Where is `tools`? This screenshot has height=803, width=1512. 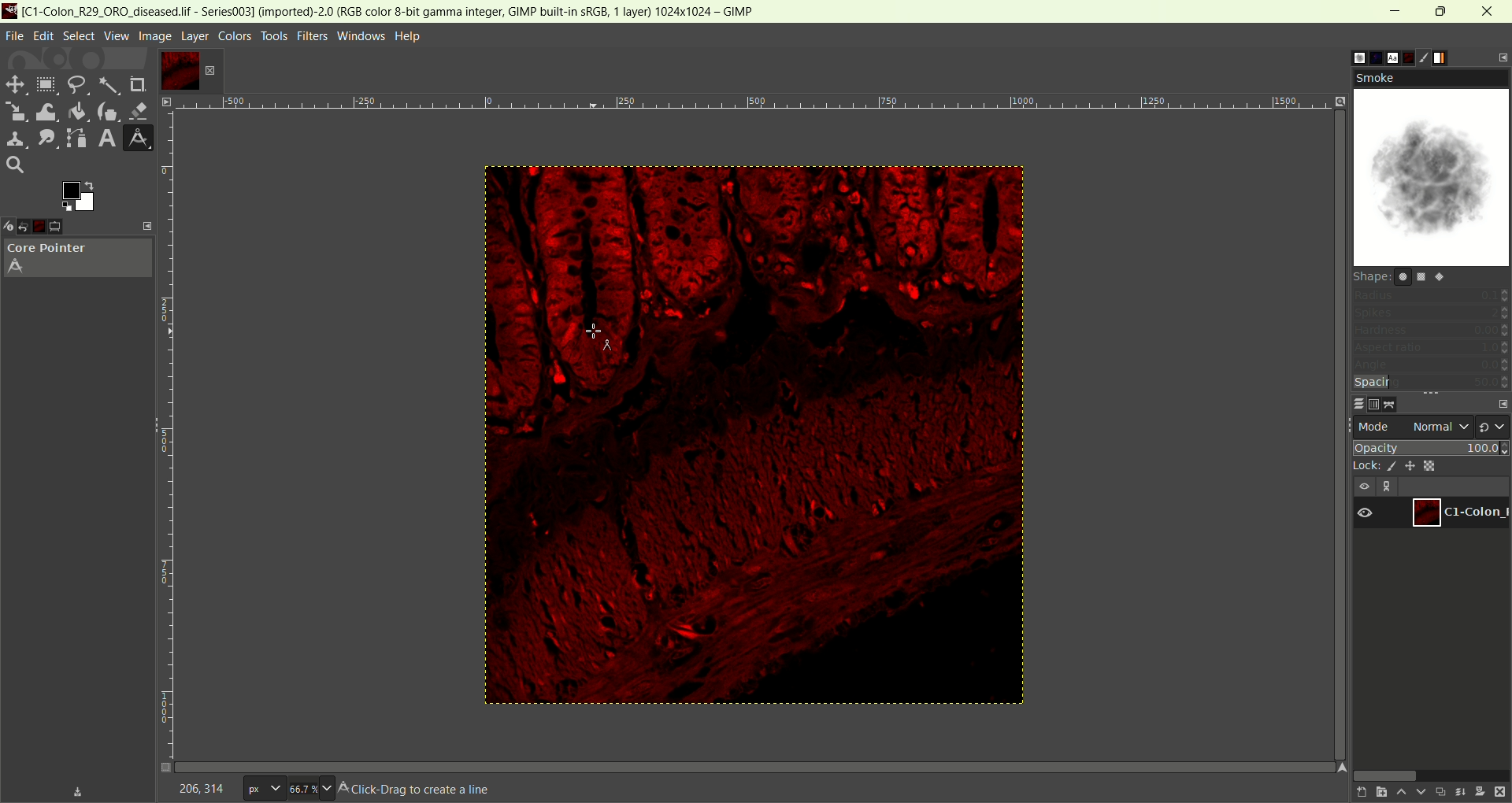 tools is located at coordinates (276, 36).